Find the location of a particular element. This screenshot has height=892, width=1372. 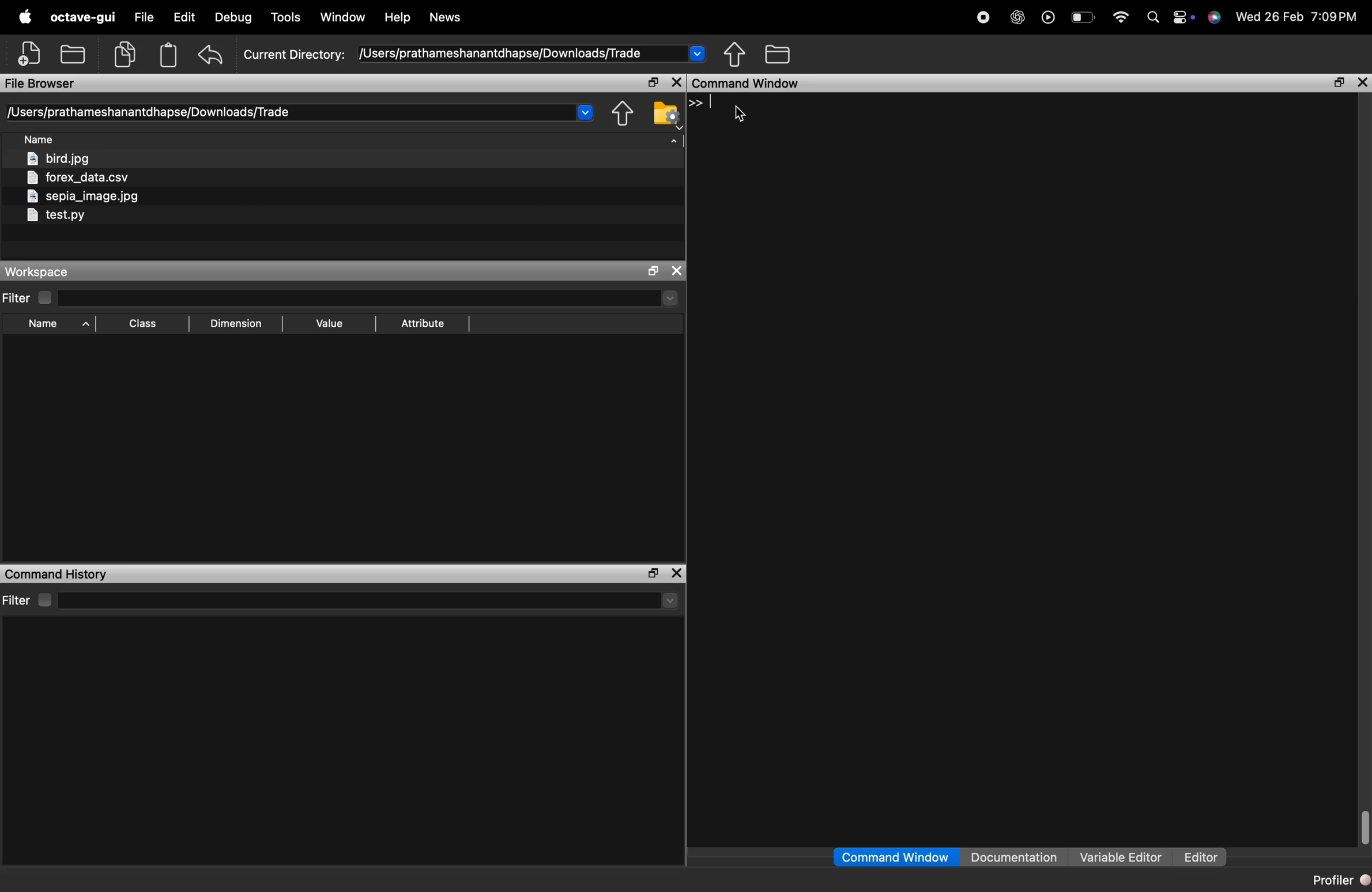

file browser is located at coordinates (47, 84).